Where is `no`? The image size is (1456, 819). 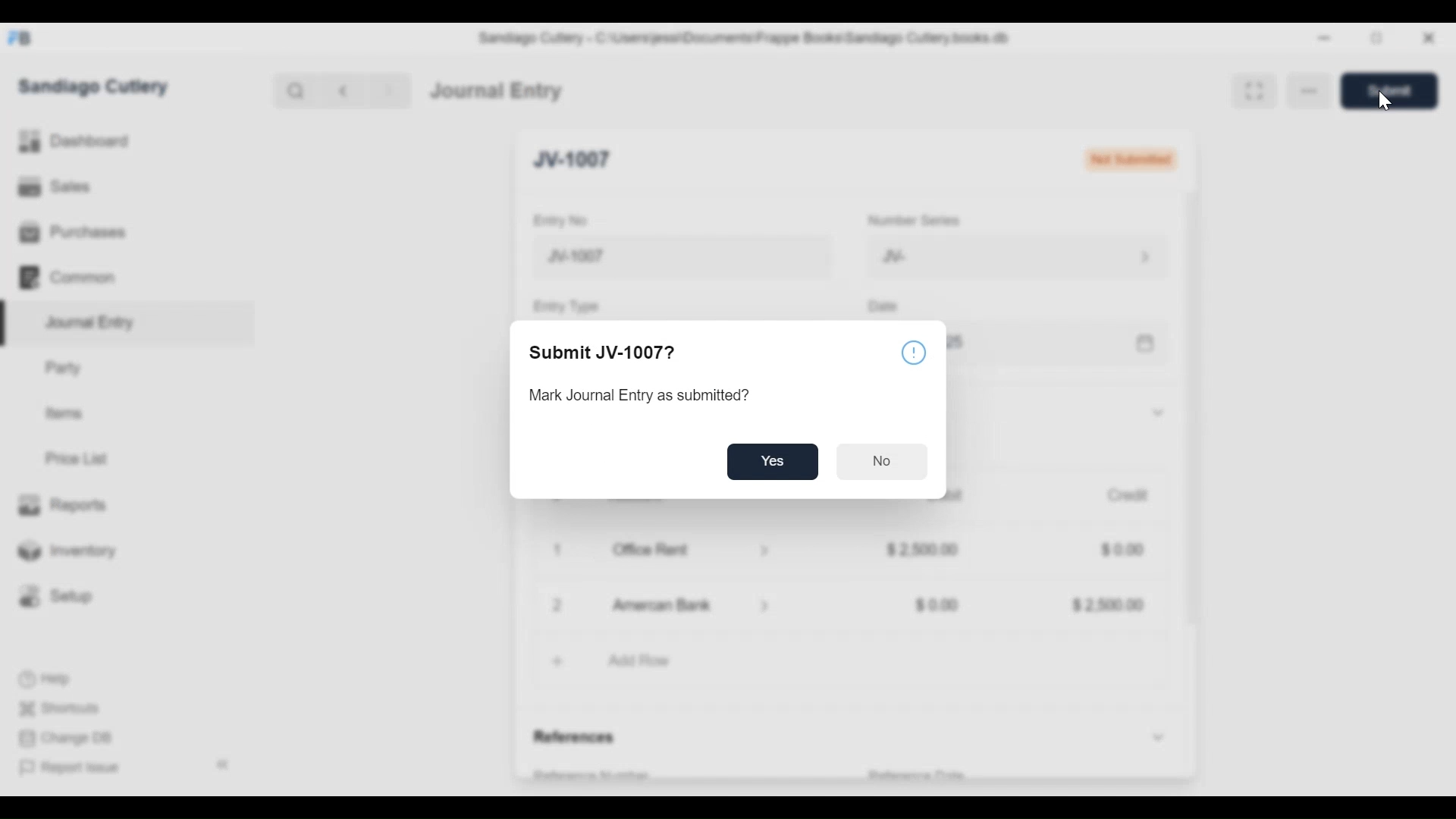 no is located at coordinates (882, 462).